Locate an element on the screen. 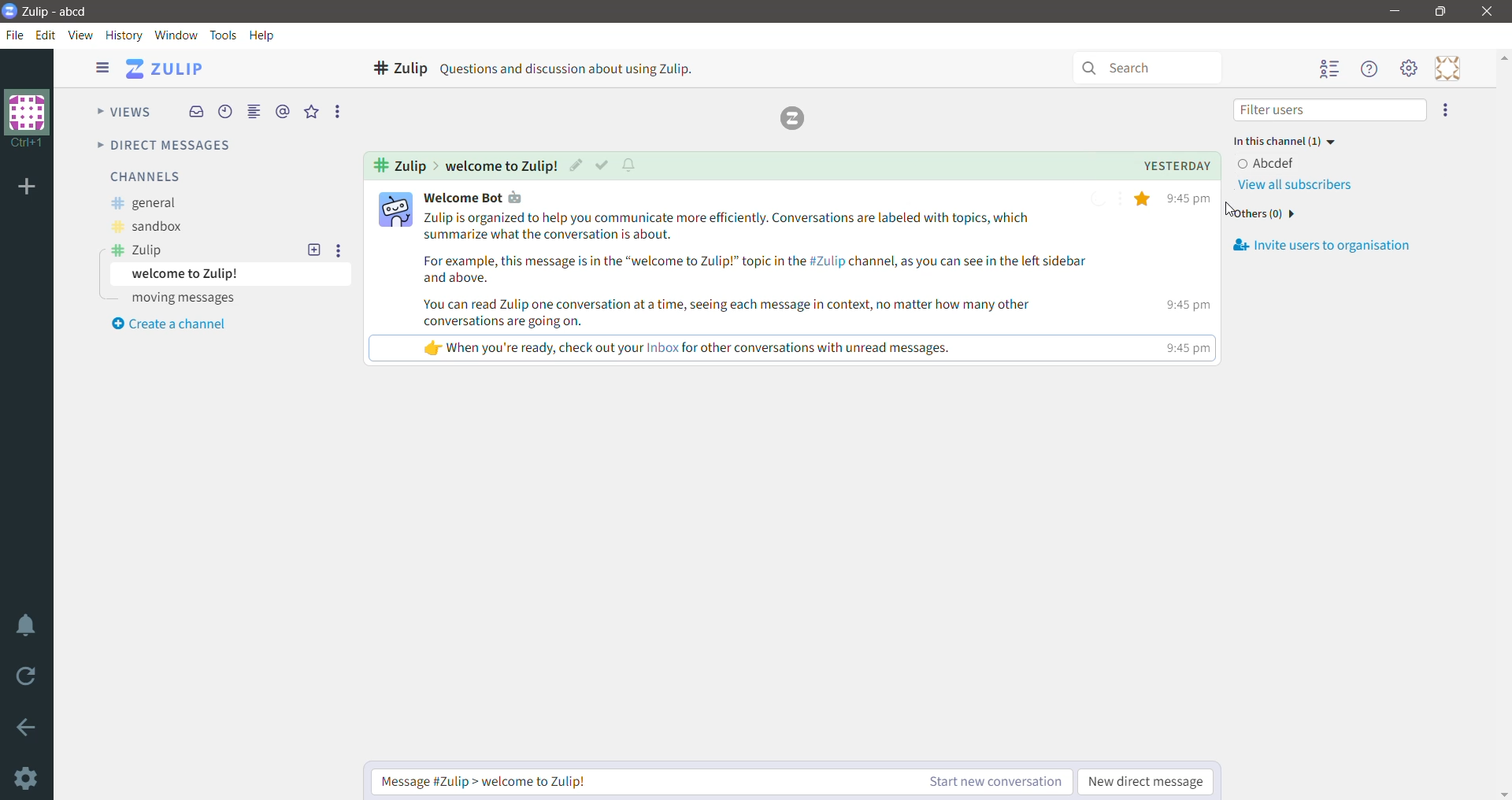 Image resolution: width=1512 pixels, height=800 pixels. Channels is located at coordinates (143, 176).